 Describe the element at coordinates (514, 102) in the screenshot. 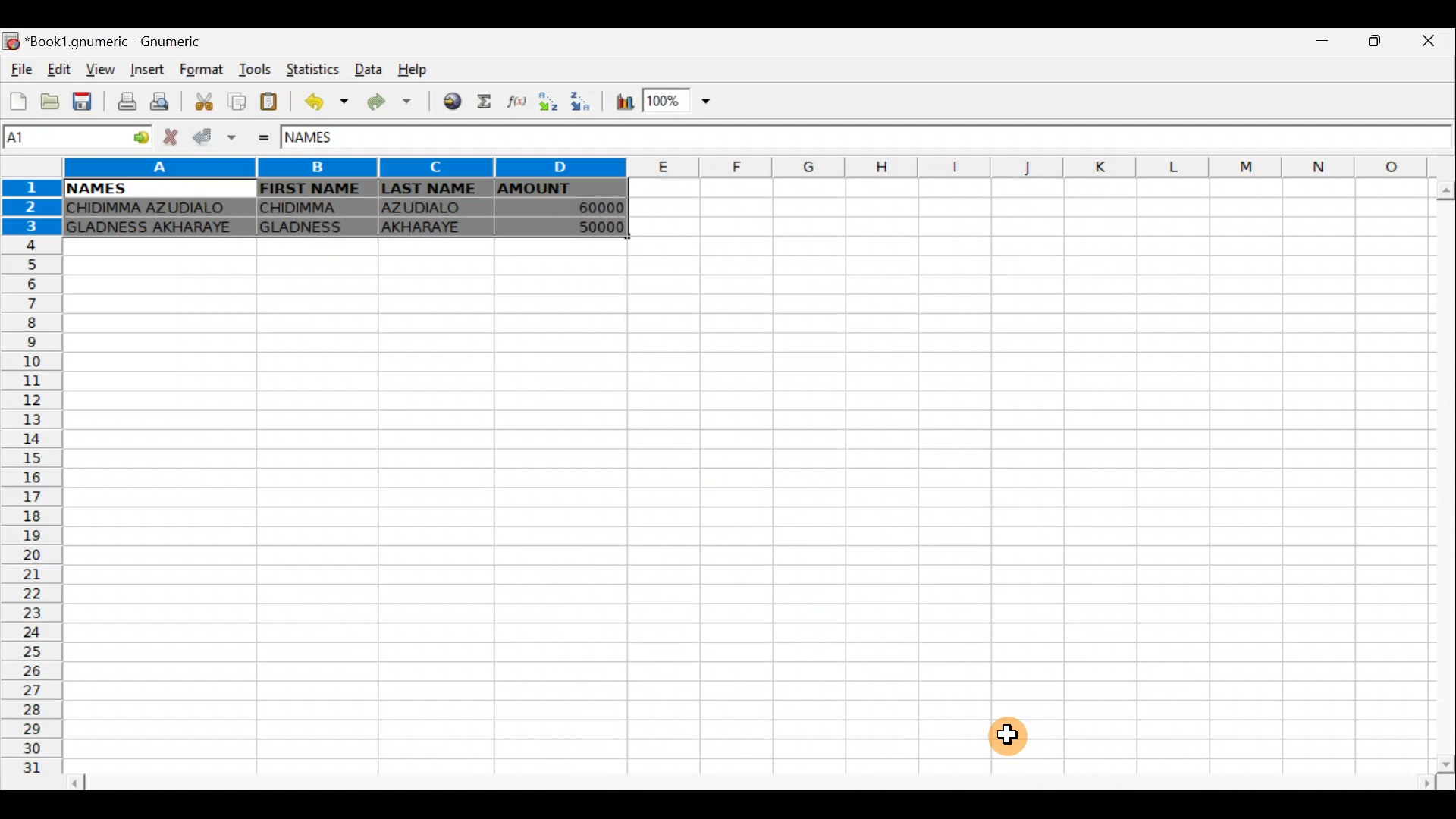

I see `Edit a function in the current cell` at that location.